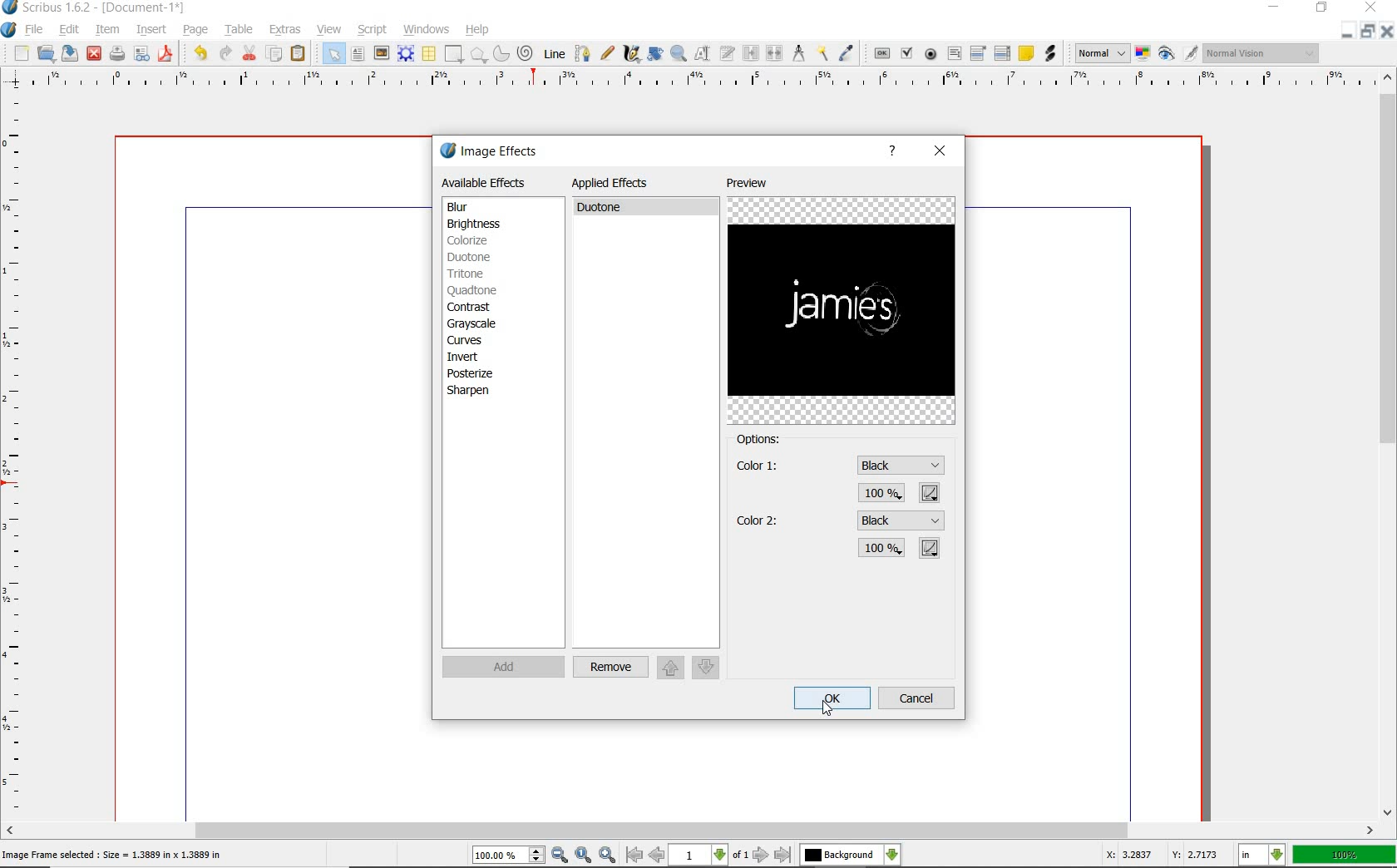 The width and height of the screenshot is (1397, 868). What do you see at coordinates (117, 52) in the screenshot?
I see `save` at bounding box center [117, 52].